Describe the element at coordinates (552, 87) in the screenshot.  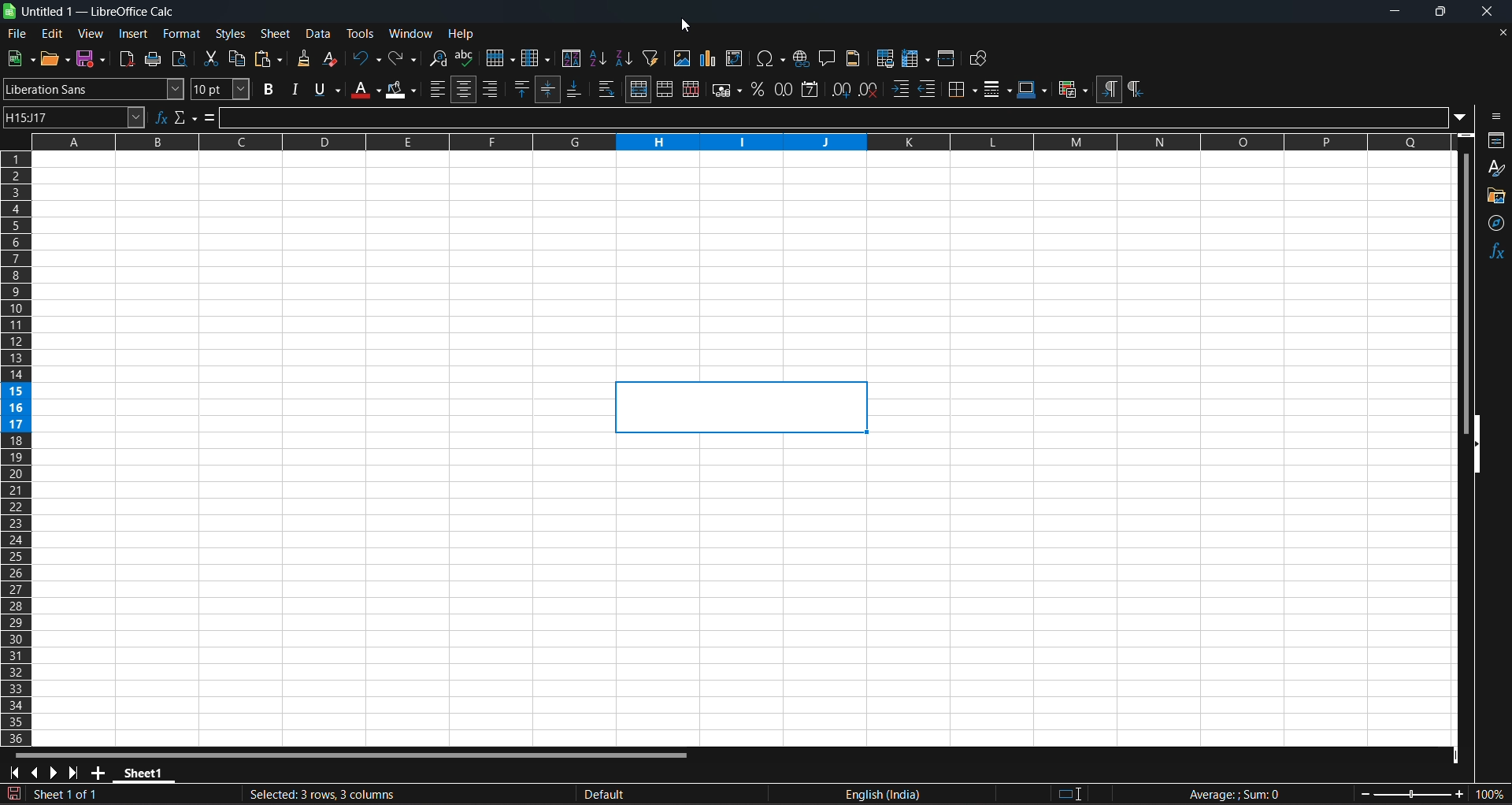
I see `center vertically` at that location.